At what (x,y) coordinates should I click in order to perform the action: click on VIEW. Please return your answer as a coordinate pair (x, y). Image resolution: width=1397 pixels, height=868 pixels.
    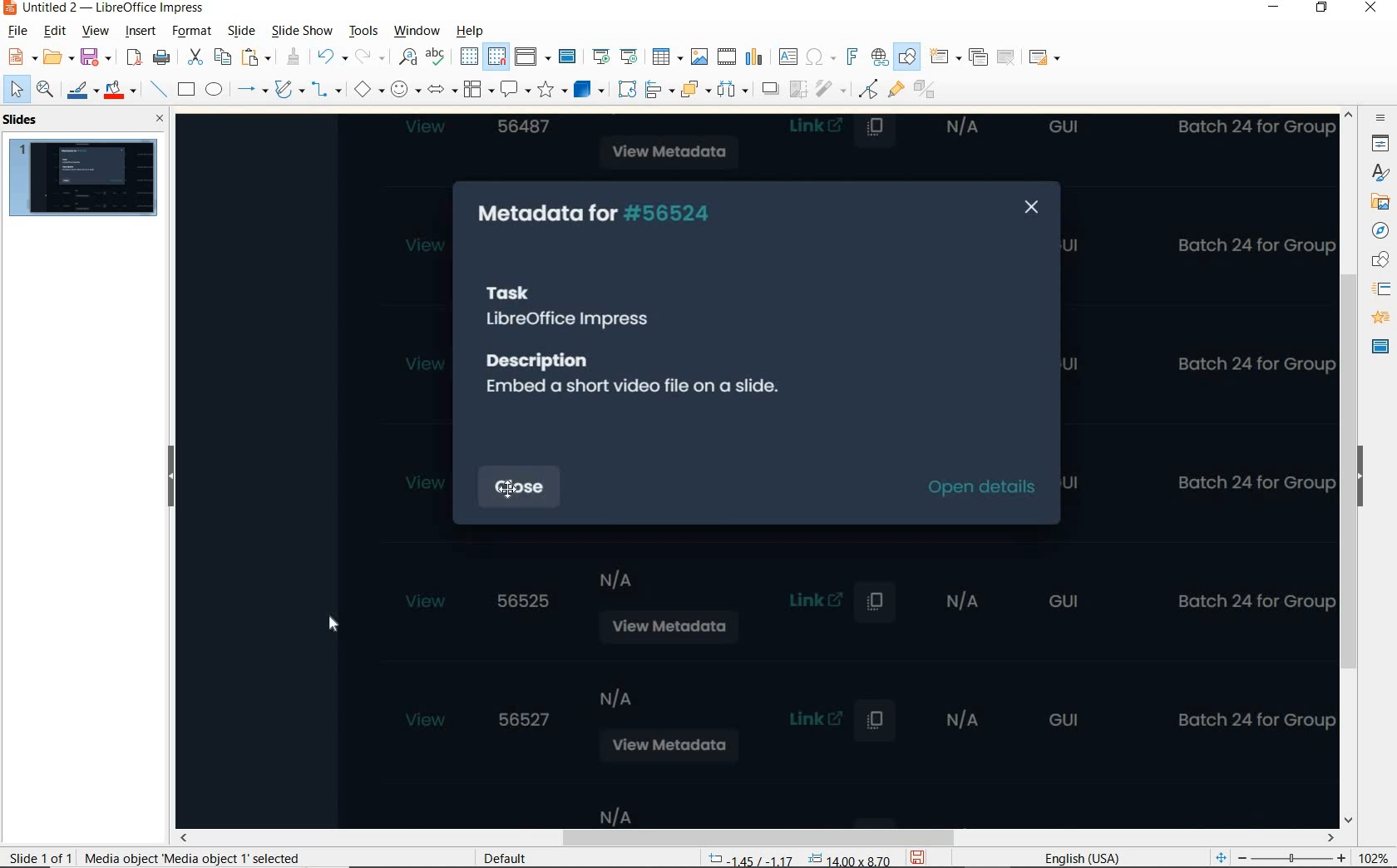
    Looking at the image, I should click on (96, 32).